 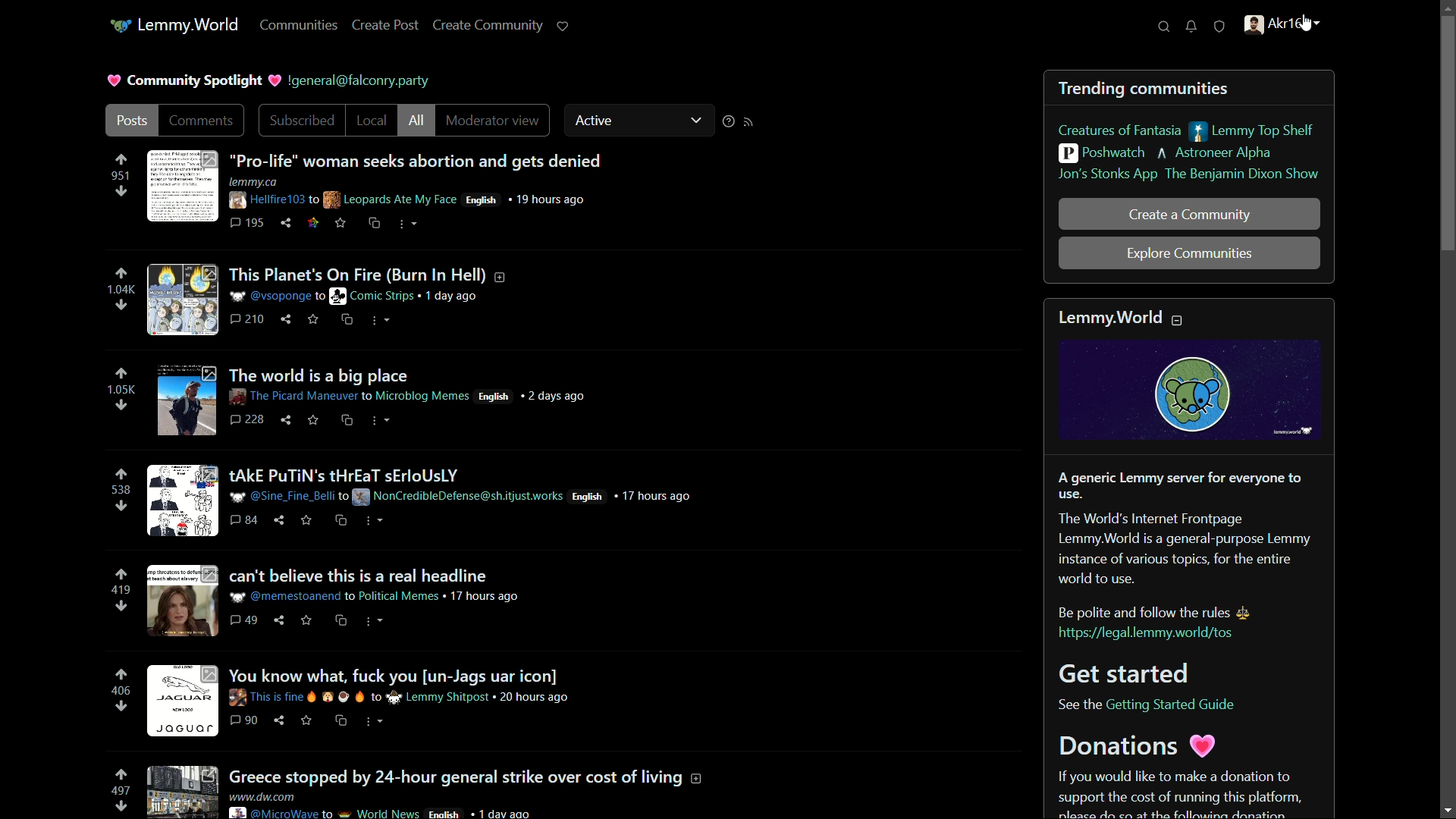 What do you see at coordinates (1213, 154) in the screenshot?
I see `astroneer alpha` at bounding box center [1213, 154].